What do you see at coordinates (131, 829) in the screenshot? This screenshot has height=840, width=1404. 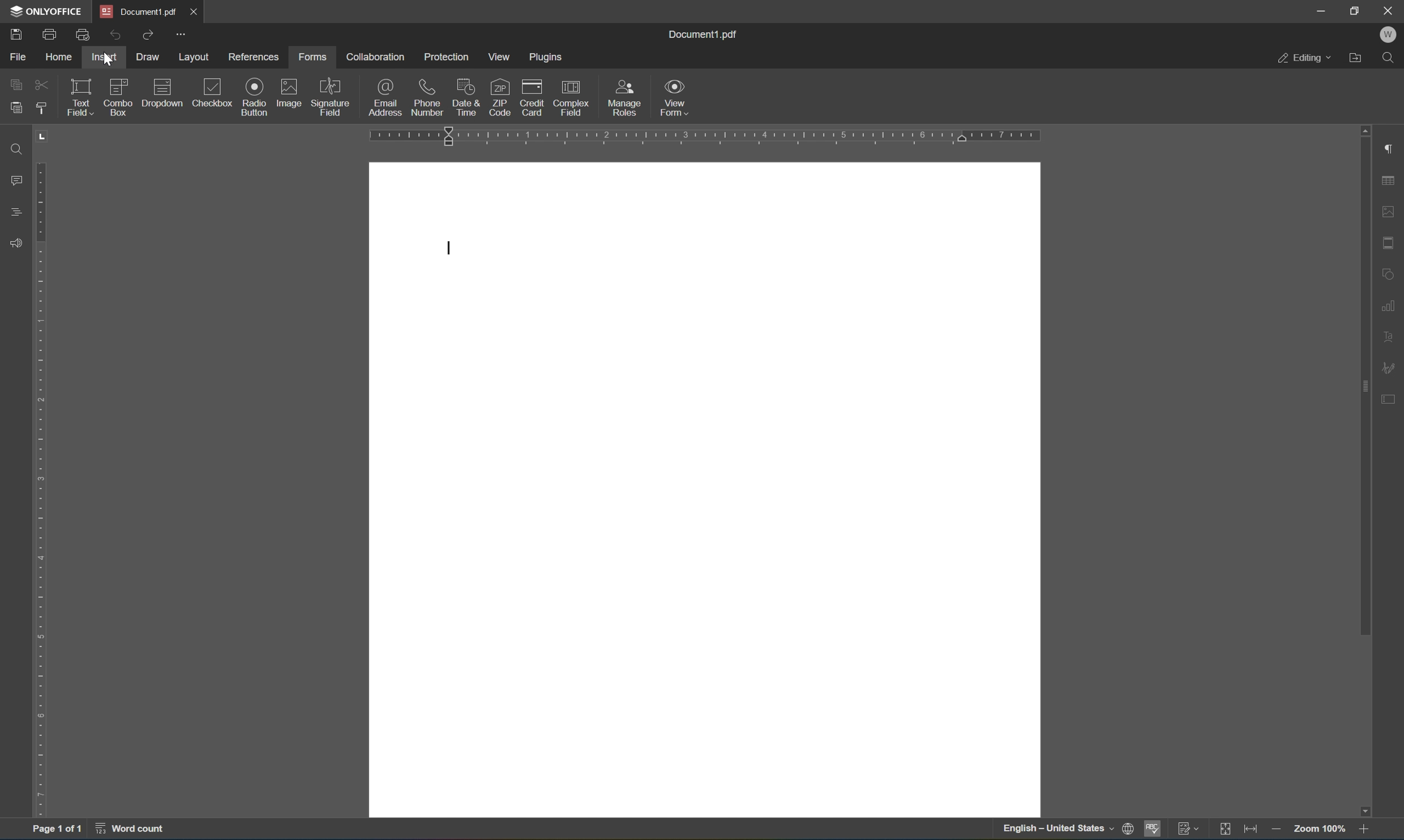 I see `word count` at bounding box center [131, 829].